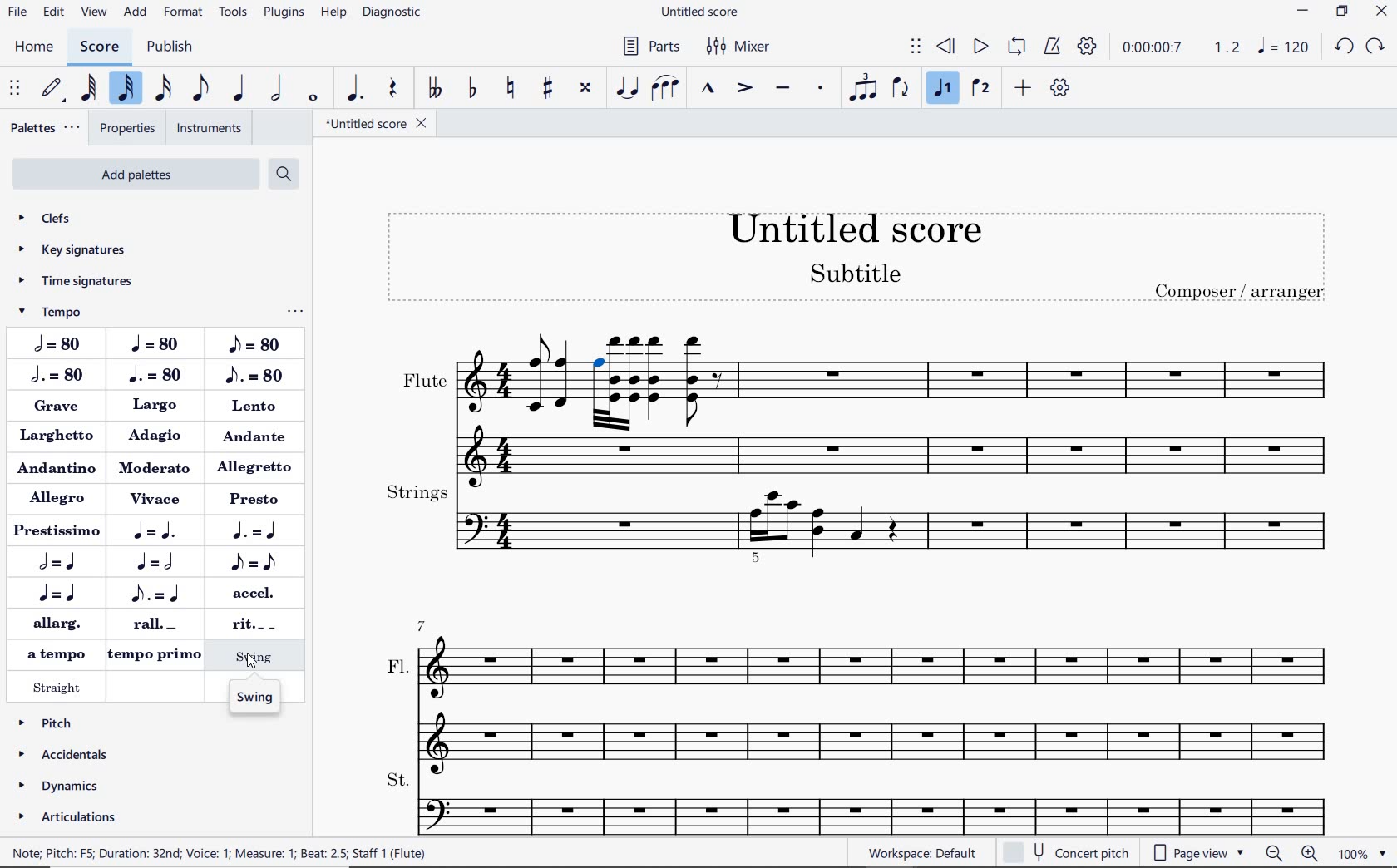 The width and height of the screenshot is (1397, 868). I want to click on parts, so click(654, 49).